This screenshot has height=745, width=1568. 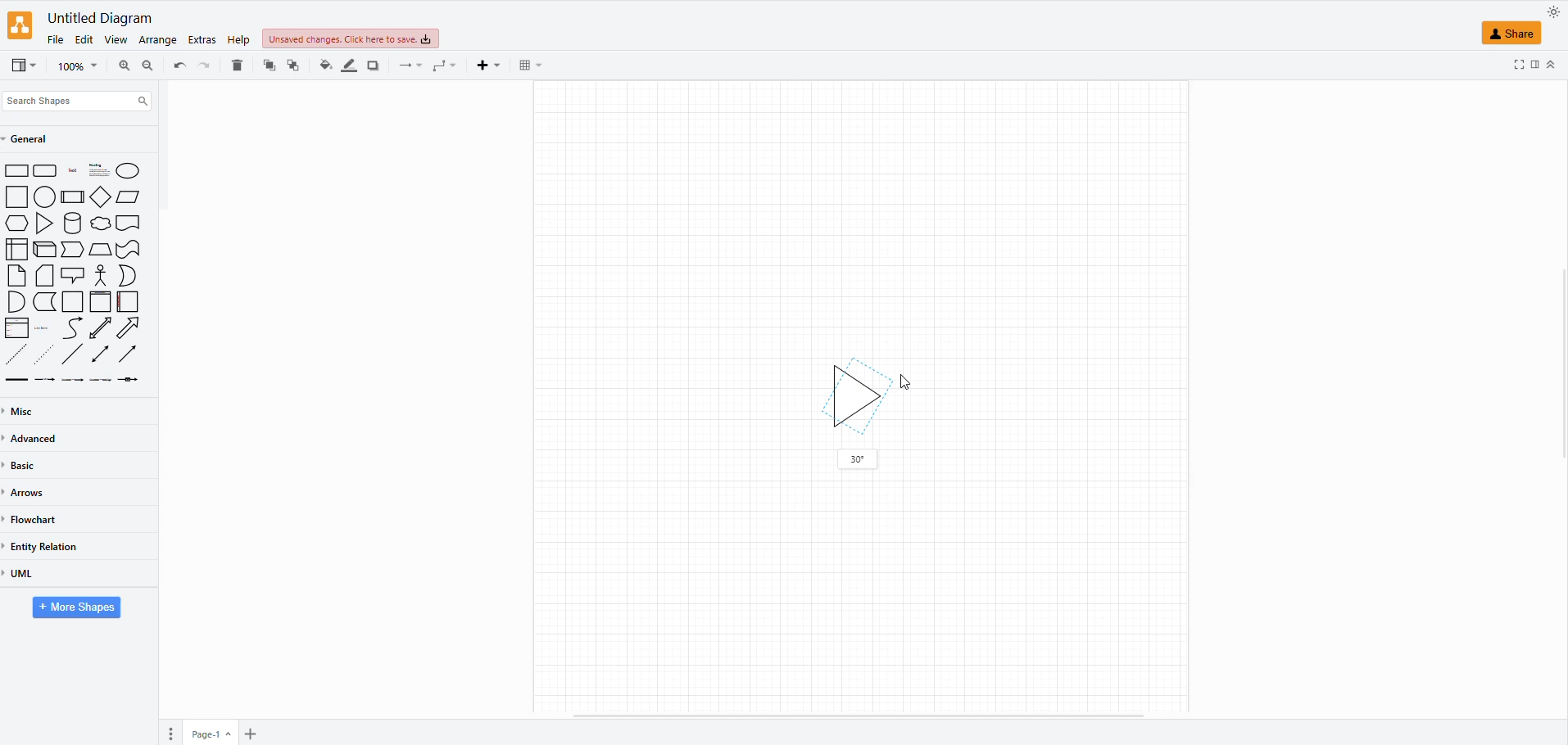 What do you see at coordinates (73, 249) in the screenshot?
I see `Forward` at bounding box center [73, 249].